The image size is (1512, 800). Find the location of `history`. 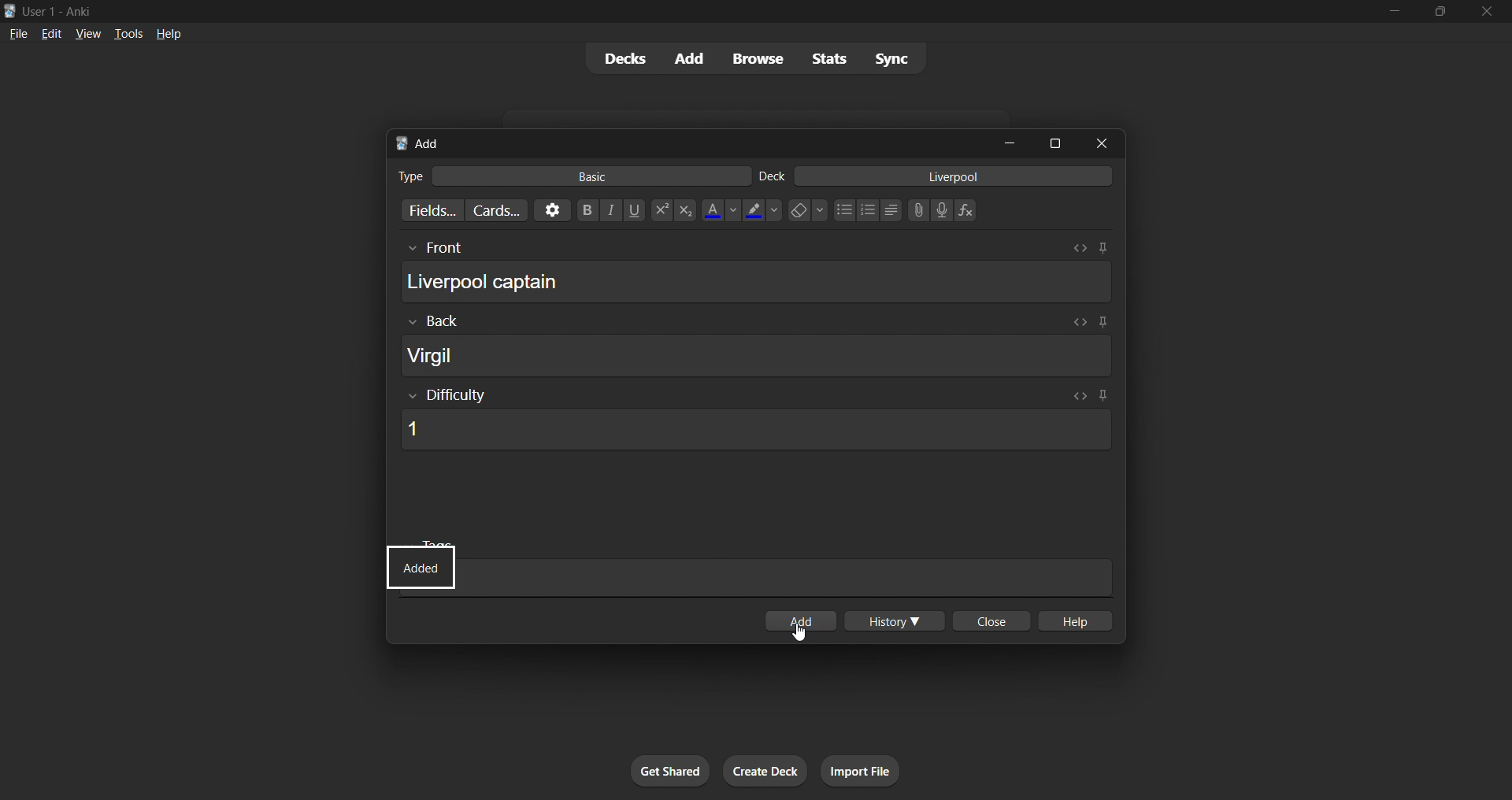

history is located at coordinates (895, 620).